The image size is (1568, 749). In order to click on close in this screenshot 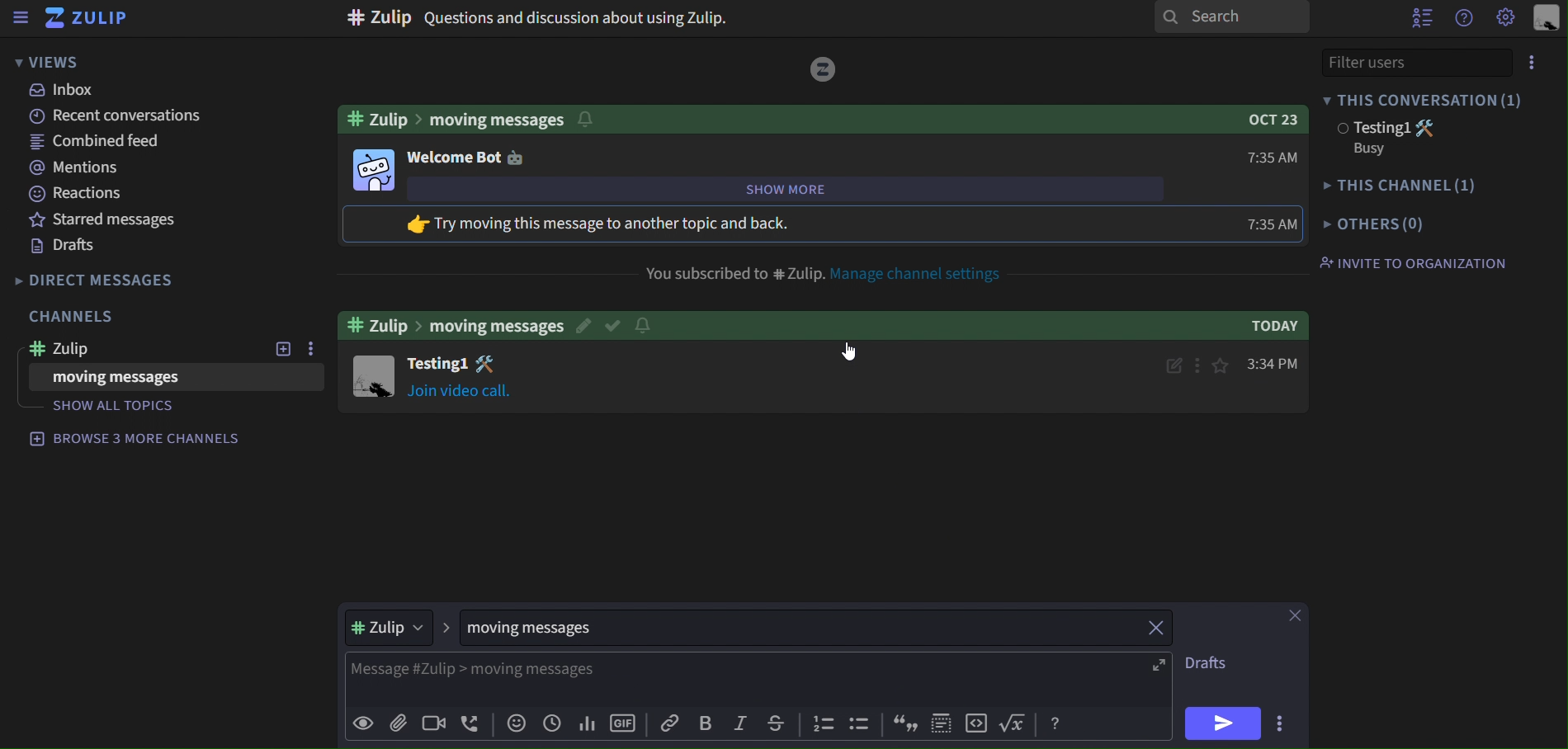, I will do `click(1298, 615)`.